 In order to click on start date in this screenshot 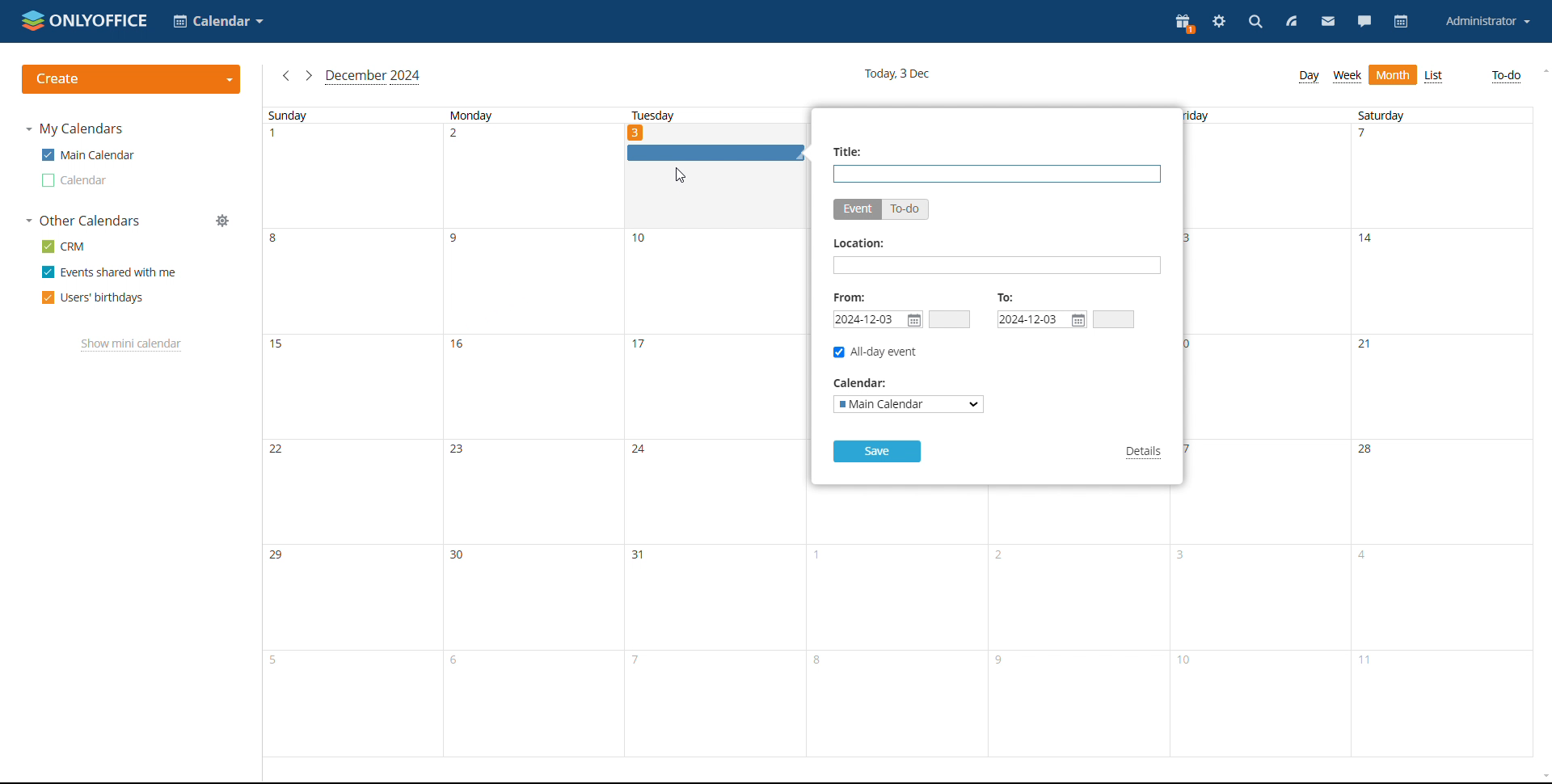, I will do `click(878, 319)`.